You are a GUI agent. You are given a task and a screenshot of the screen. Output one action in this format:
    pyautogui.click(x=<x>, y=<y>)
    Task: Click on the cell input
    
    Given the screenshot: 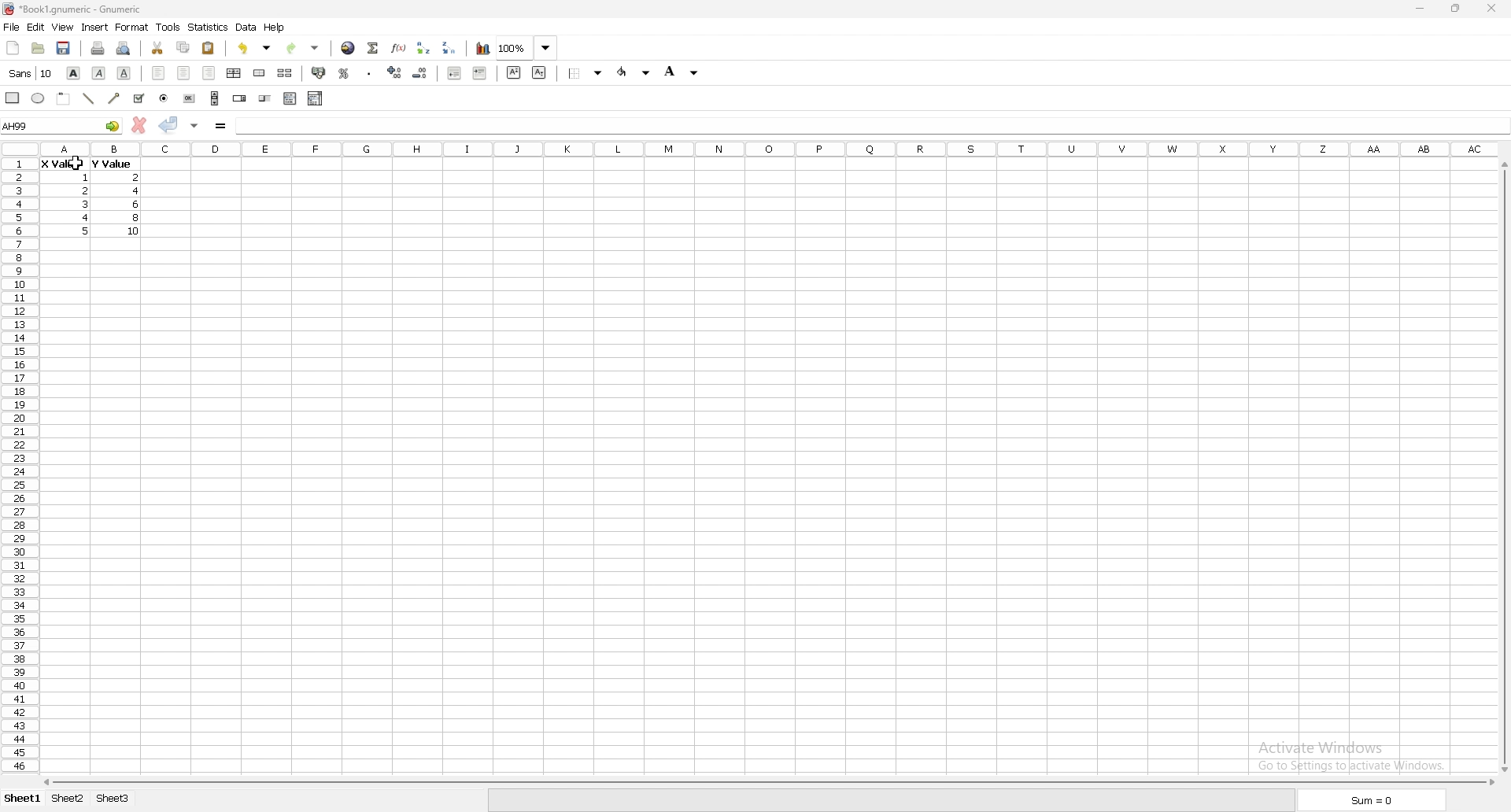 What is the action you would take?
    pyautogui.click(x=870, y=123)
    